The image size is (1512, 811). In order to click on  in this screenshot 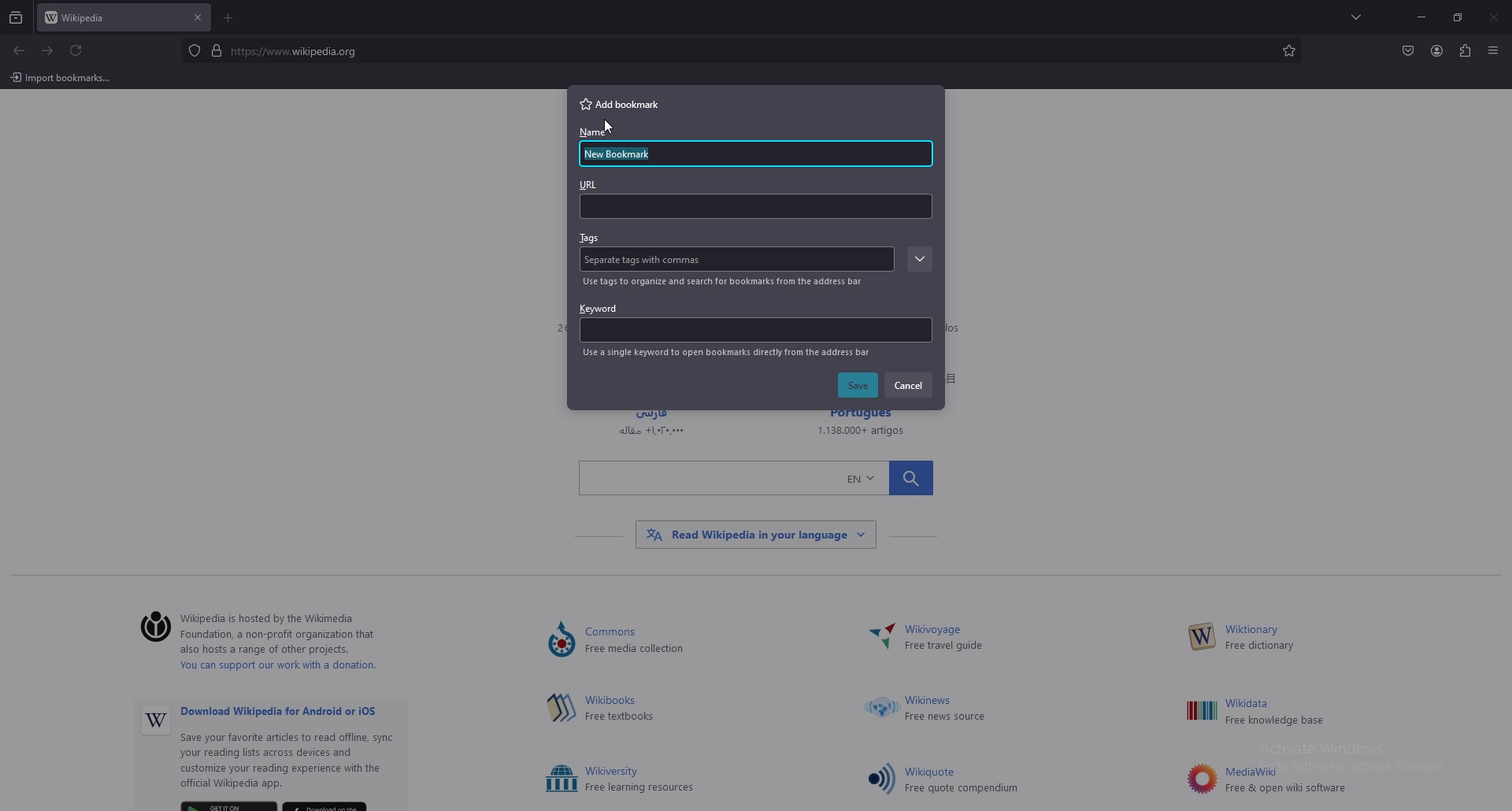, I will do `click(880, 778)`.